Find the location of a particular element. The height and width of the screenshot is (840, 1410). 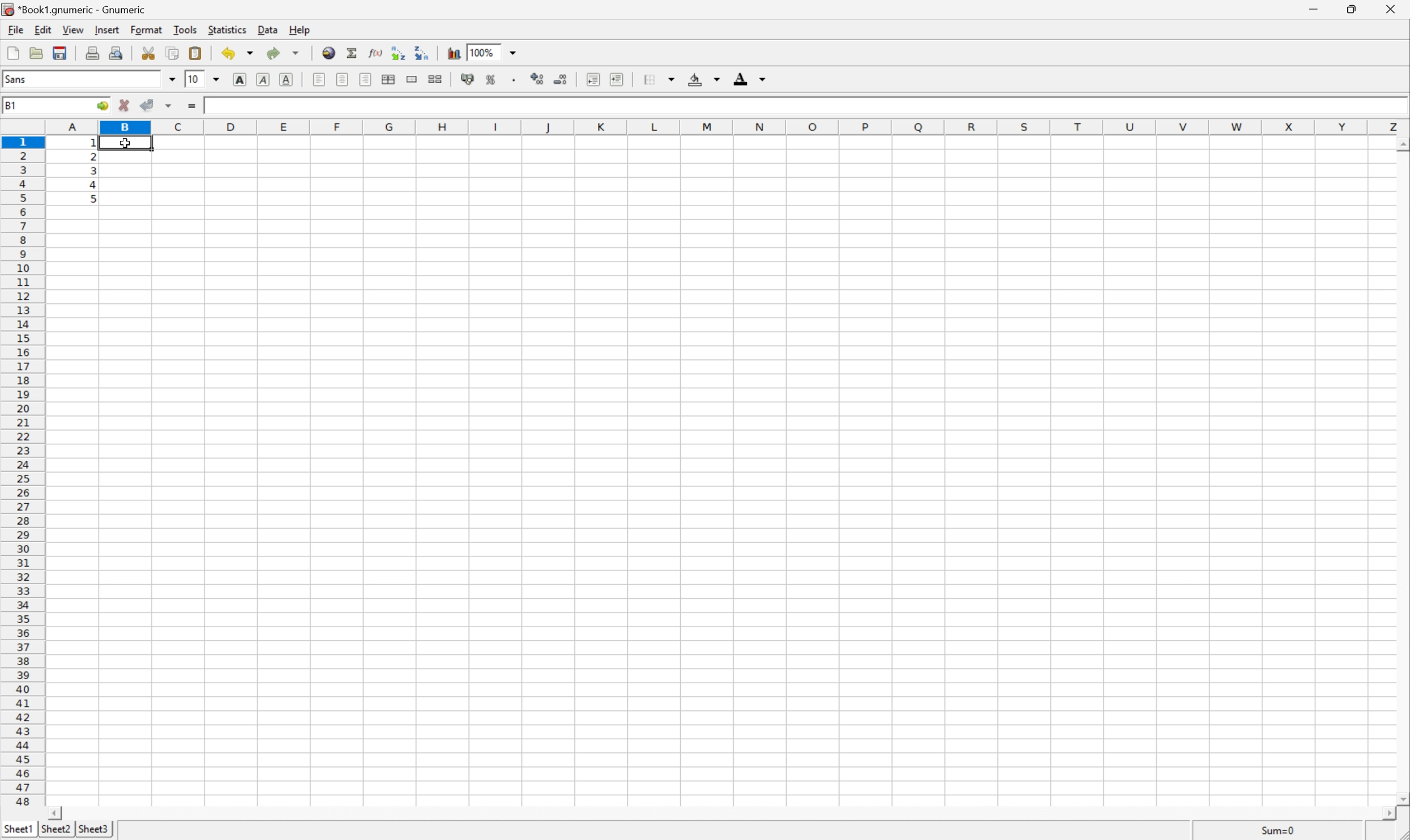

Set the format of the selected cells to include a thousands separator is located at coordinates (514, 79).